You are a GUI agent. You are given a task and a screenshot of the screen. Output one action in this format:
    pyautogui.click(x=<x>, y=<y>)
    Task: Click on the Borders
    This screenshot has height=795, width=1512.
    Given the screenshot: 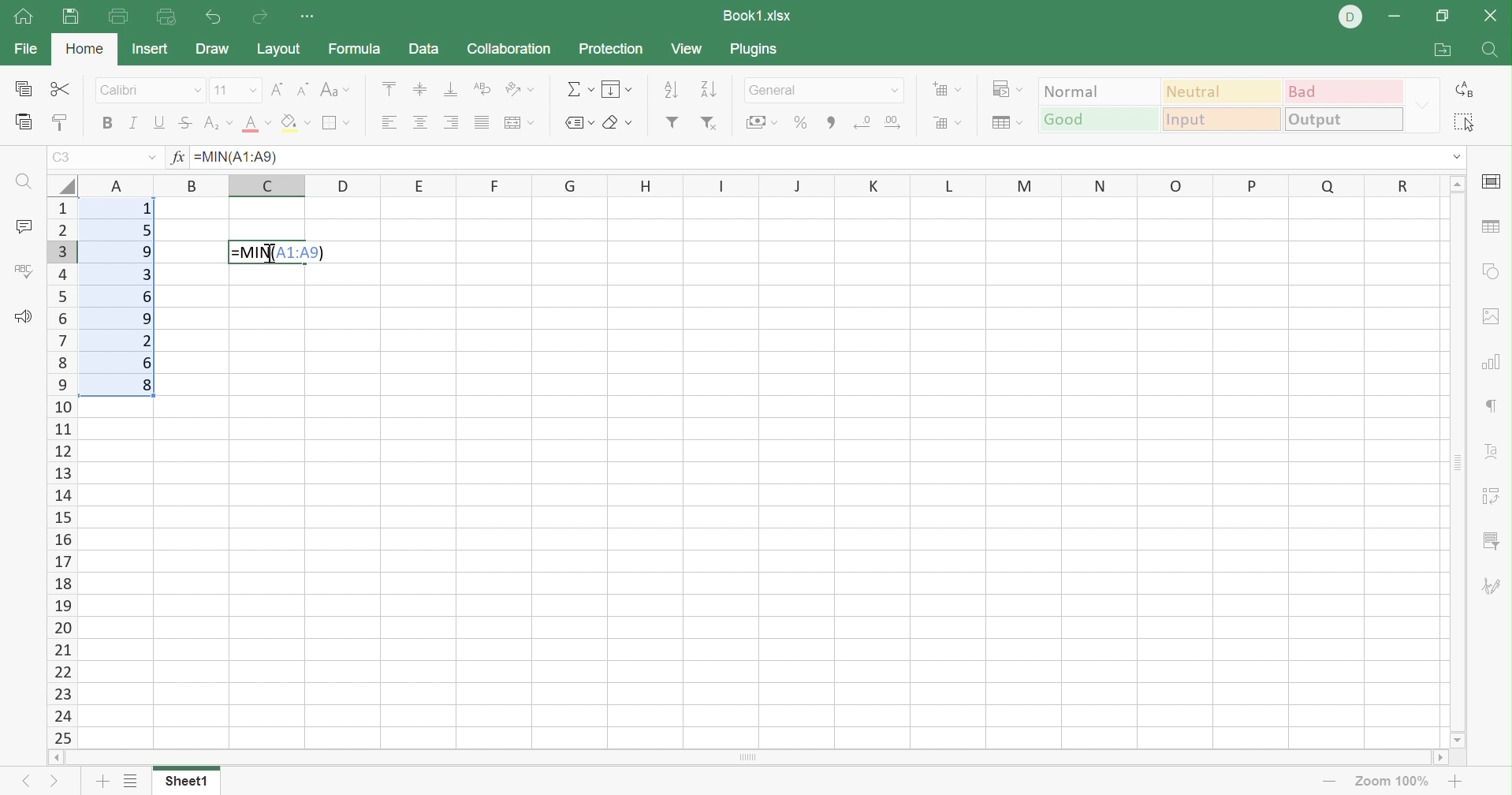 What is the action you would take?
    pyautogui.click(x=336, y=123)
    